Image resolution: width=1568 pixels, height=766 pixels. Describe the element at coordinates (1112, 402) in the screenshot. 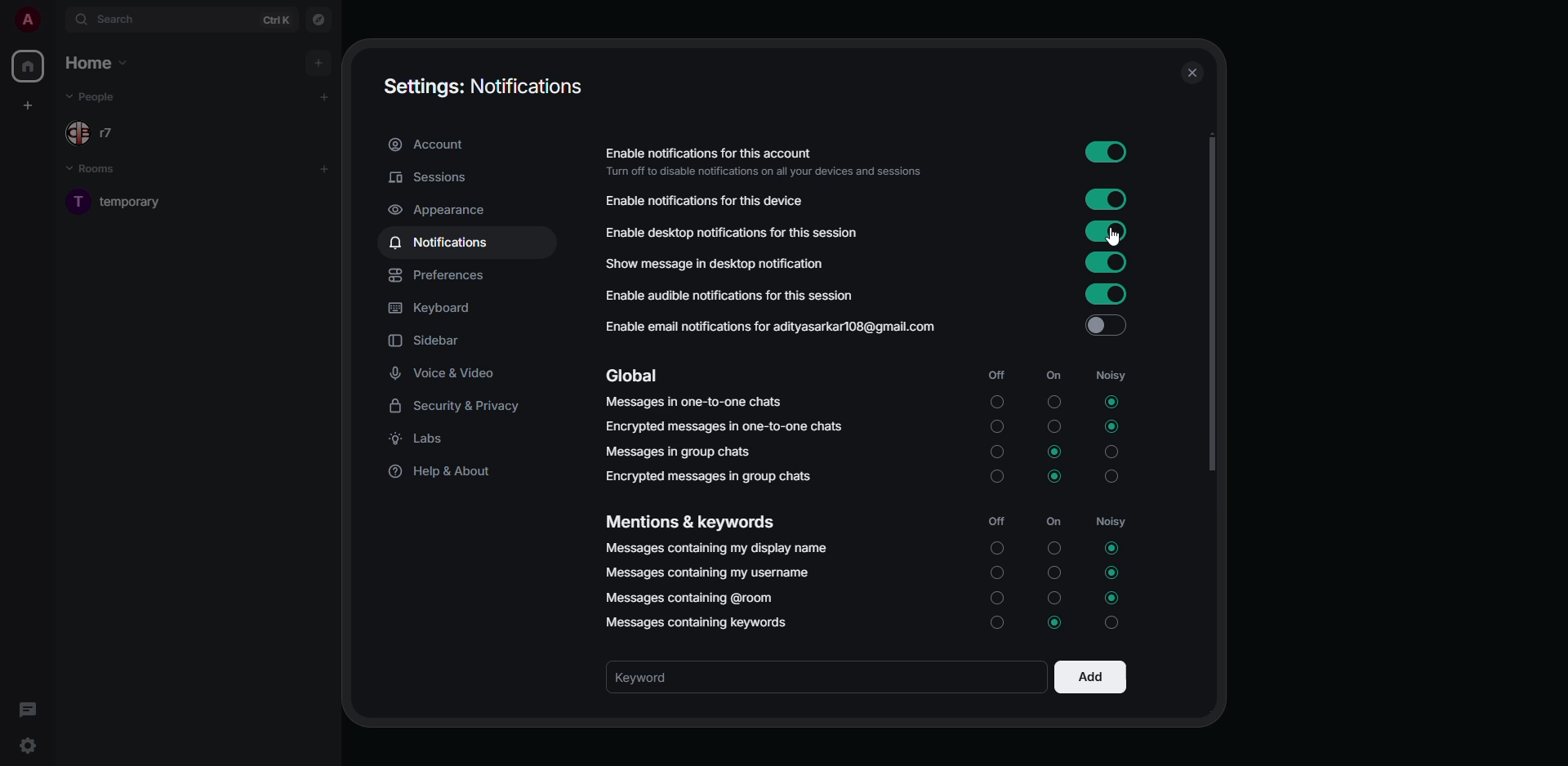

I see `selected` at that location.